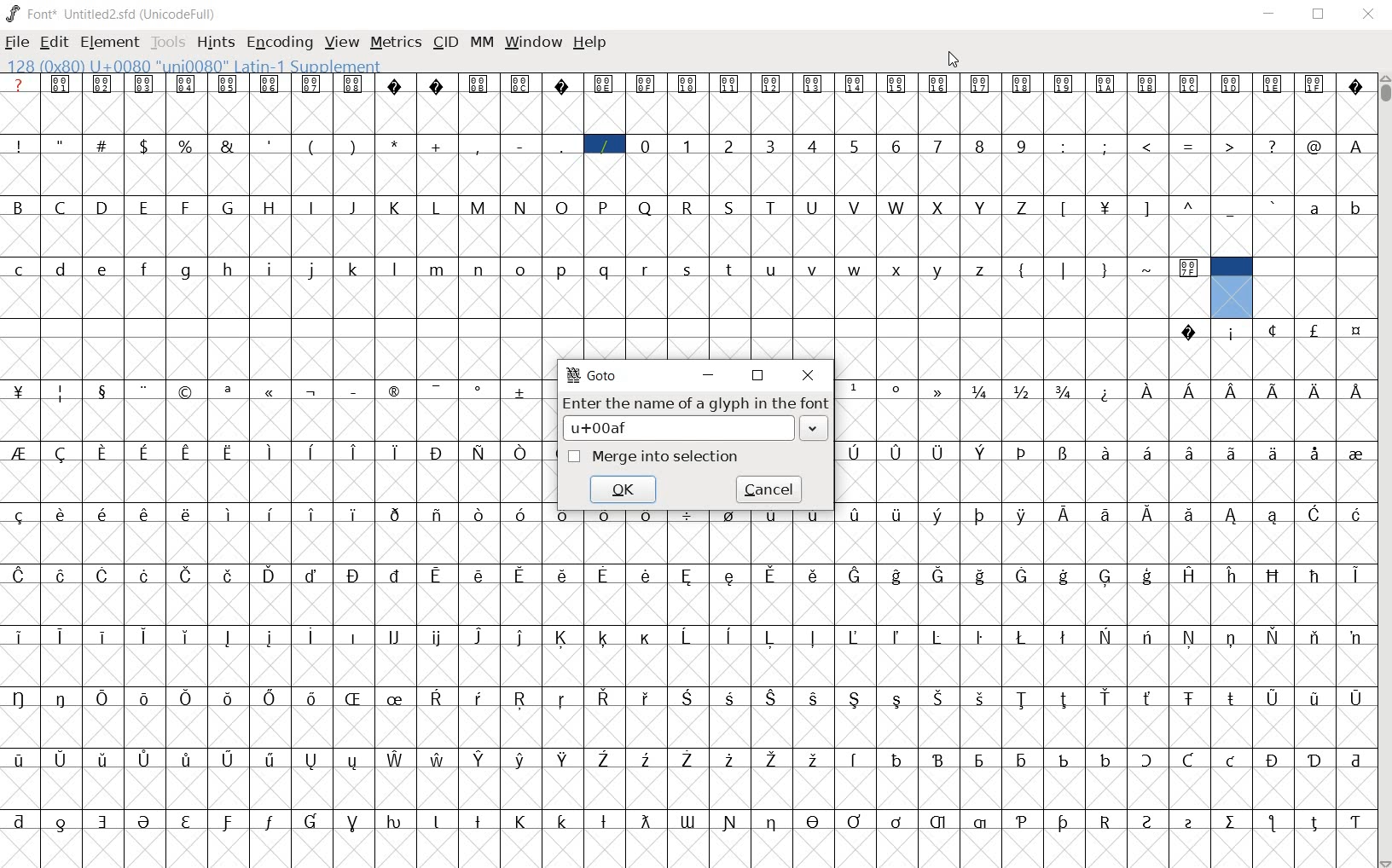 This screenshot has height=868, width=1392. I want to click on Symbol, so click(648, 574).